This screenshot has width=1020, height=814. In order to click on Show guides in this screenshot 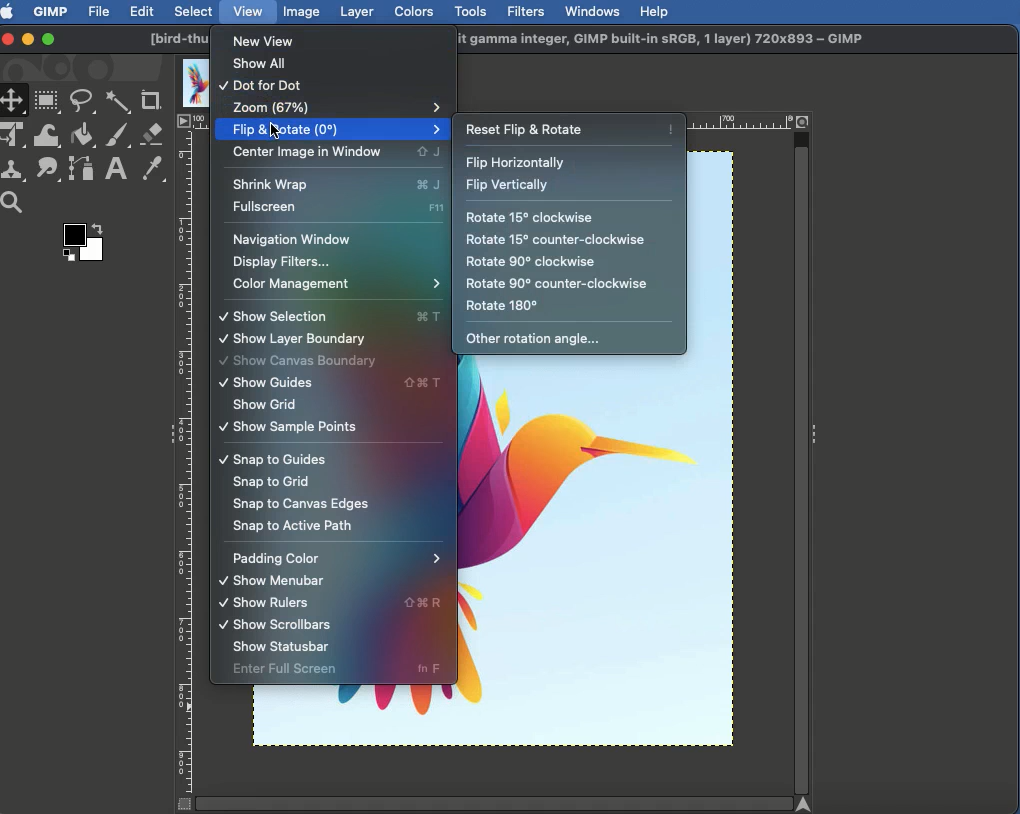, I will do `click(295, 382)`.